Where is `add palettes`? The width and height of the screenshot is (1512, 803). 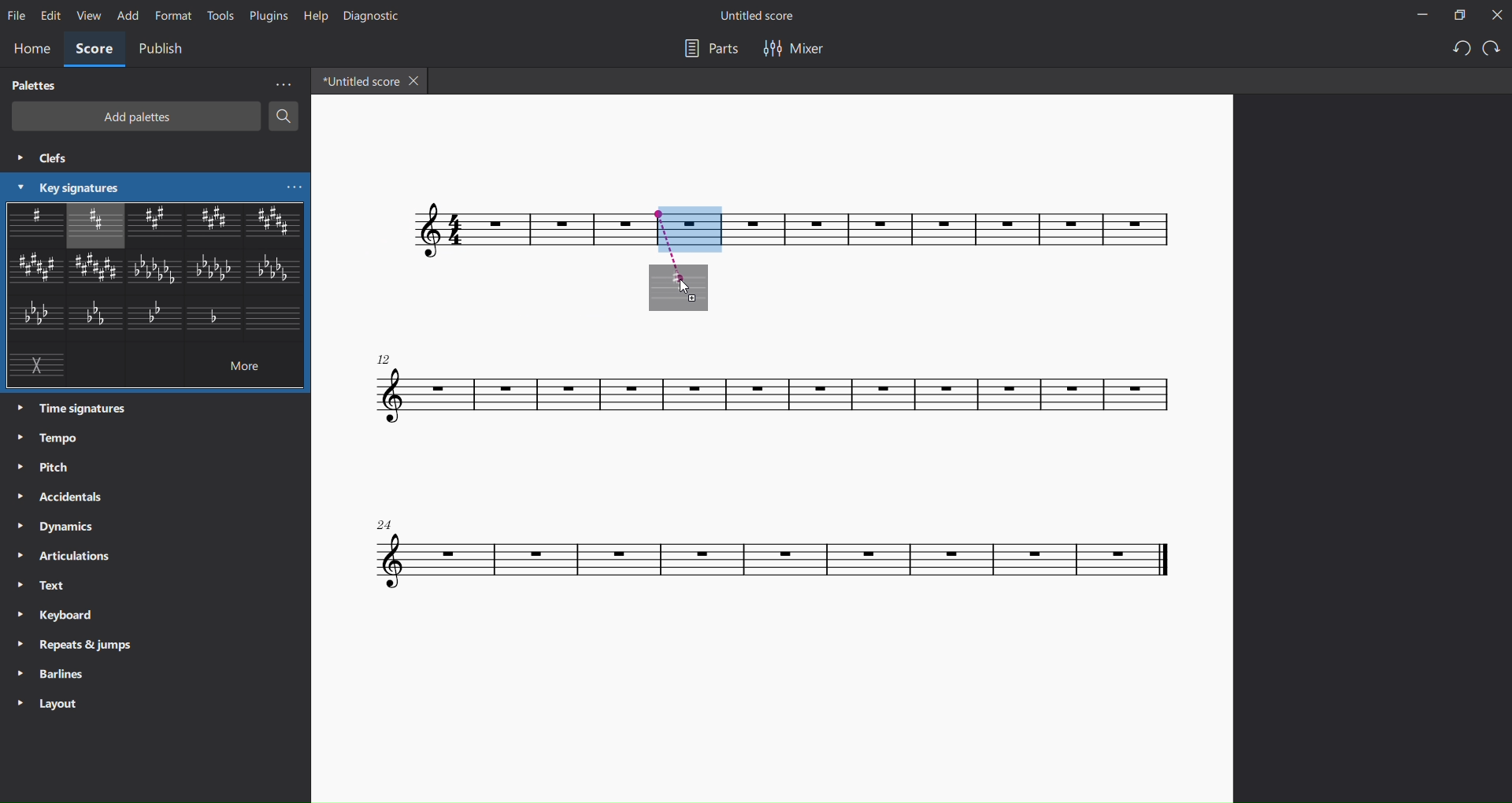
add palettes is located at coordinates (135, 117).